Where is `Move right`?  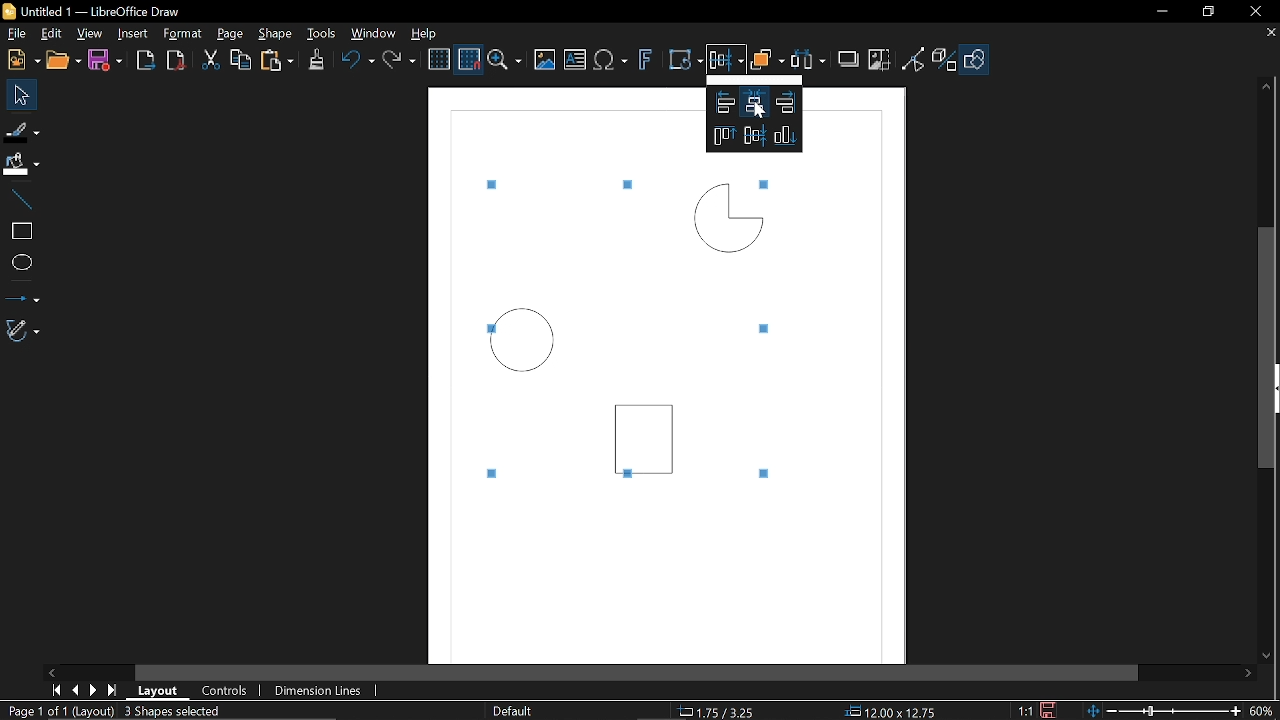
Move right is located at coordinates (1250, 675).